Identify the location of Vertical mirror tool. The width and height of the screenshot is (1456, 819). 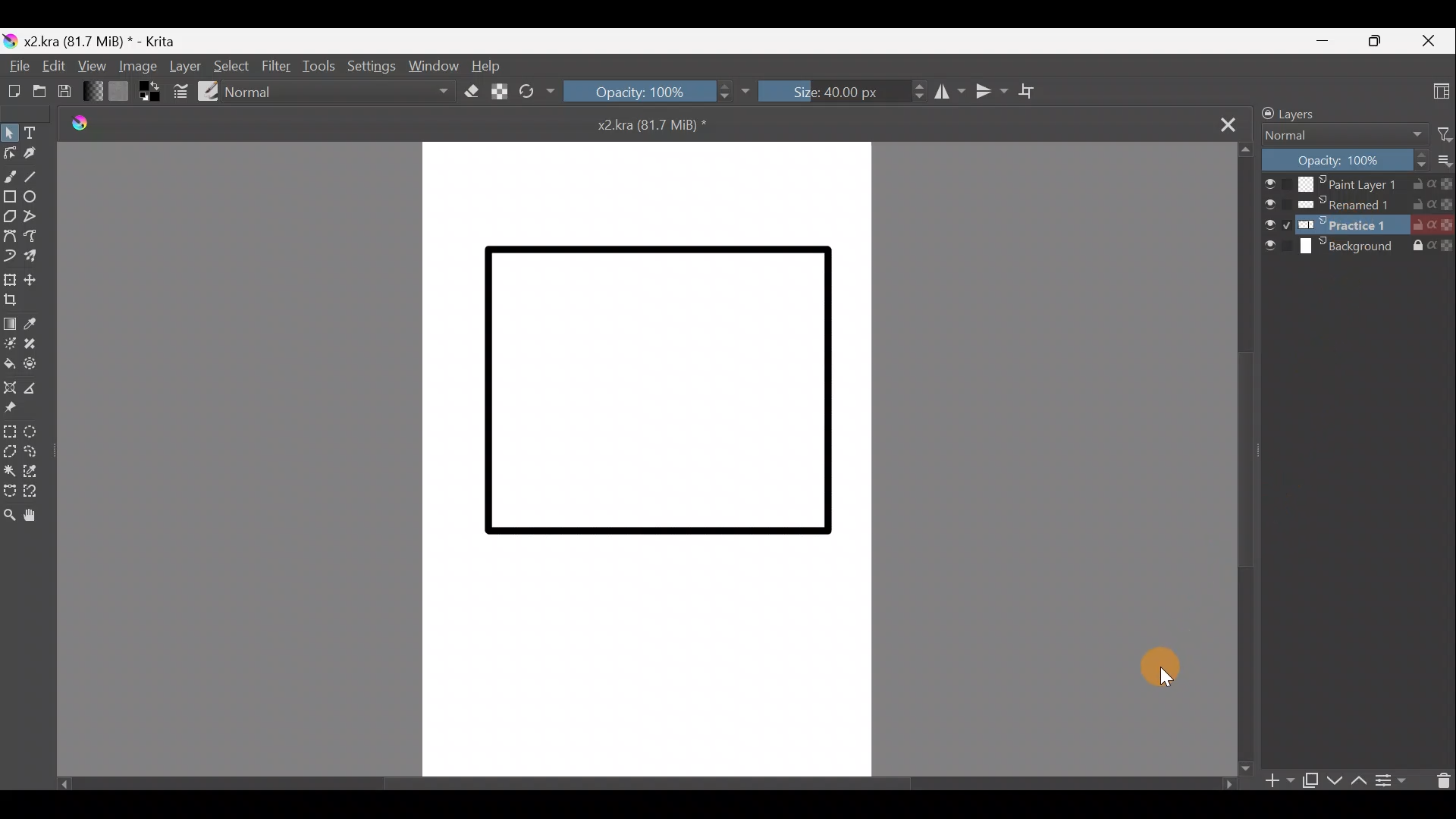
(991, 86).